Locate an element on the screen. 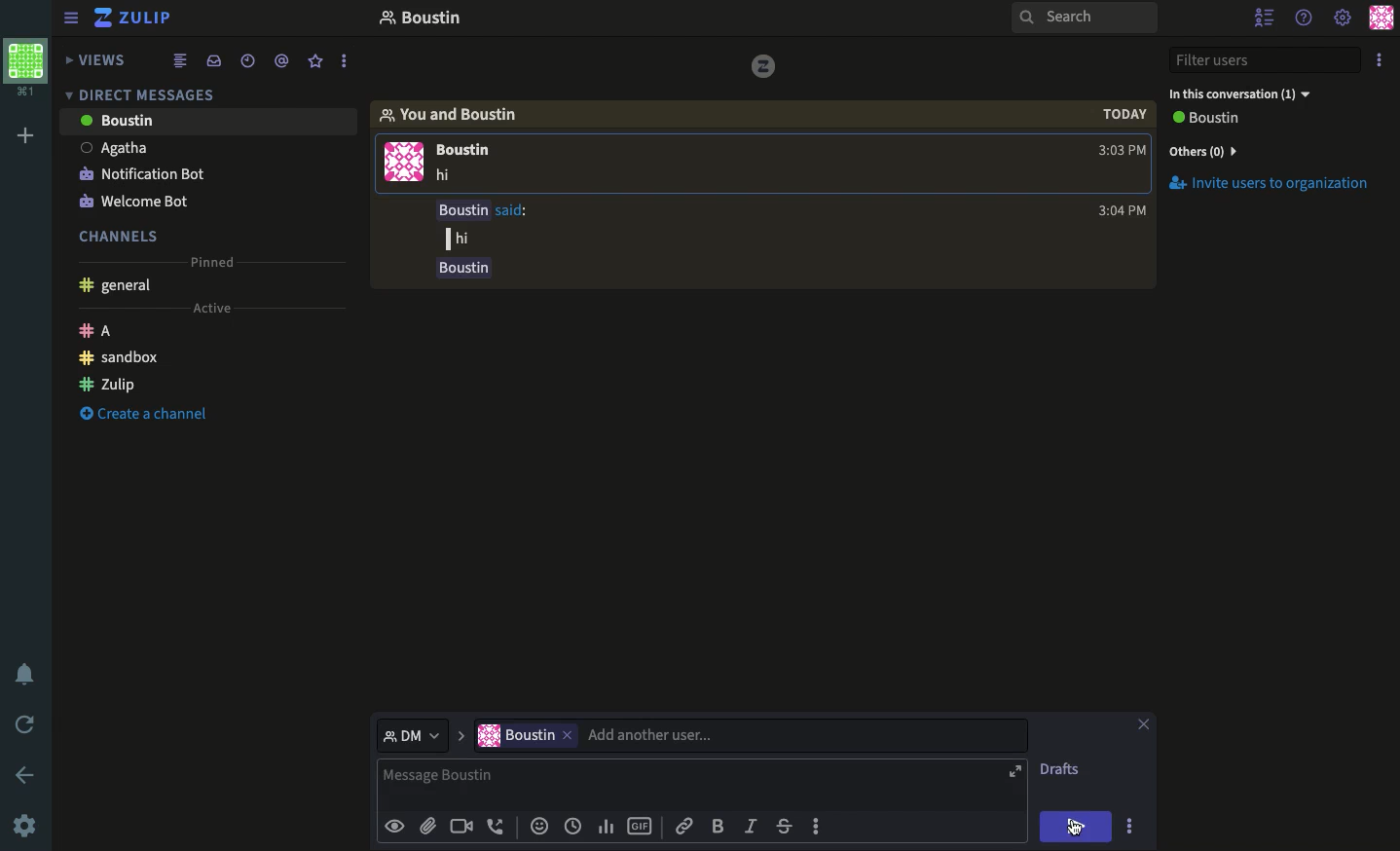 This screenshot has width=1400, height=851. Collapse menu is located at coordinates (73, 19).